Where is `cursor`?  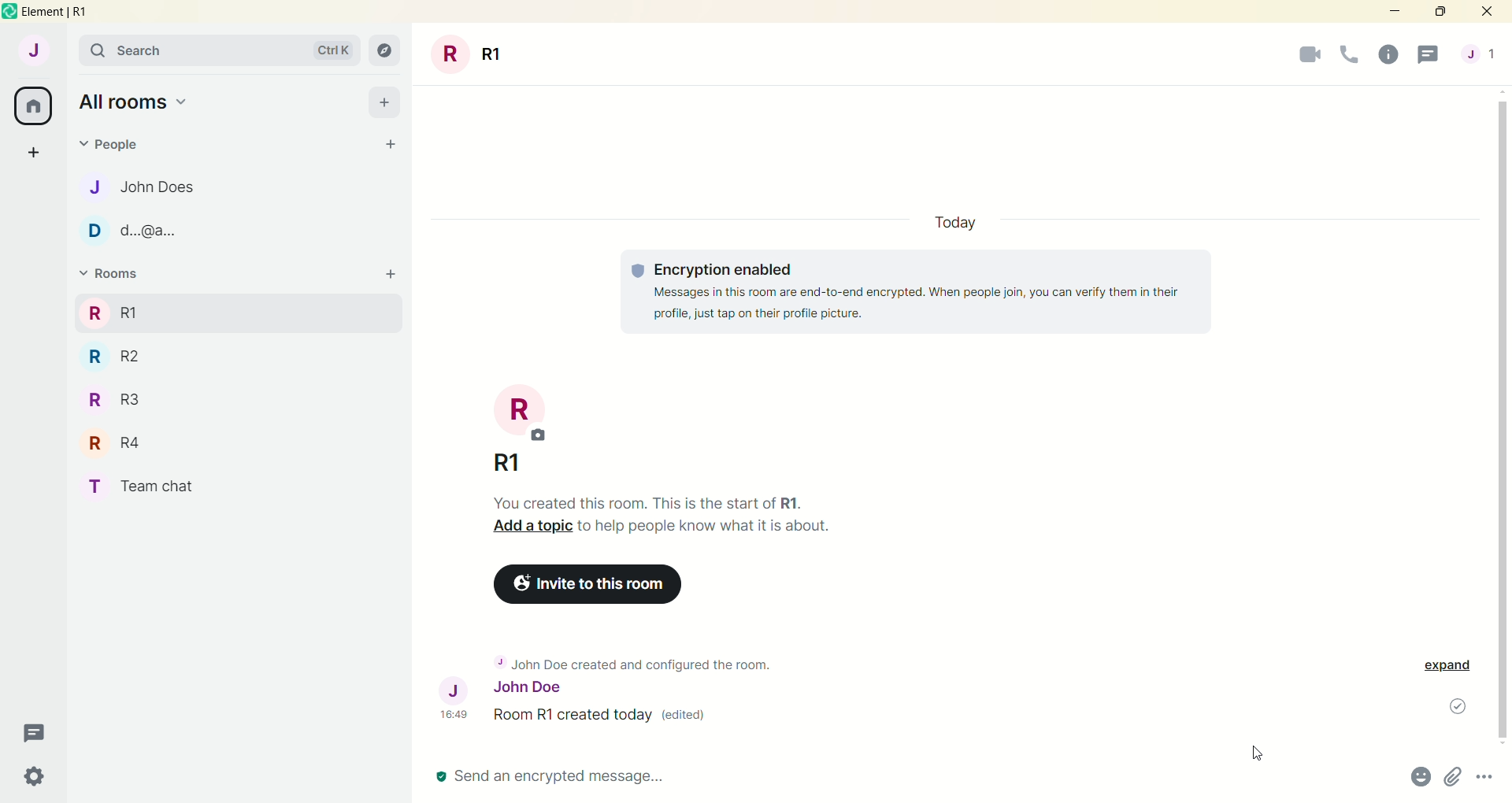 cursor is located at coordinates (1258, 753).